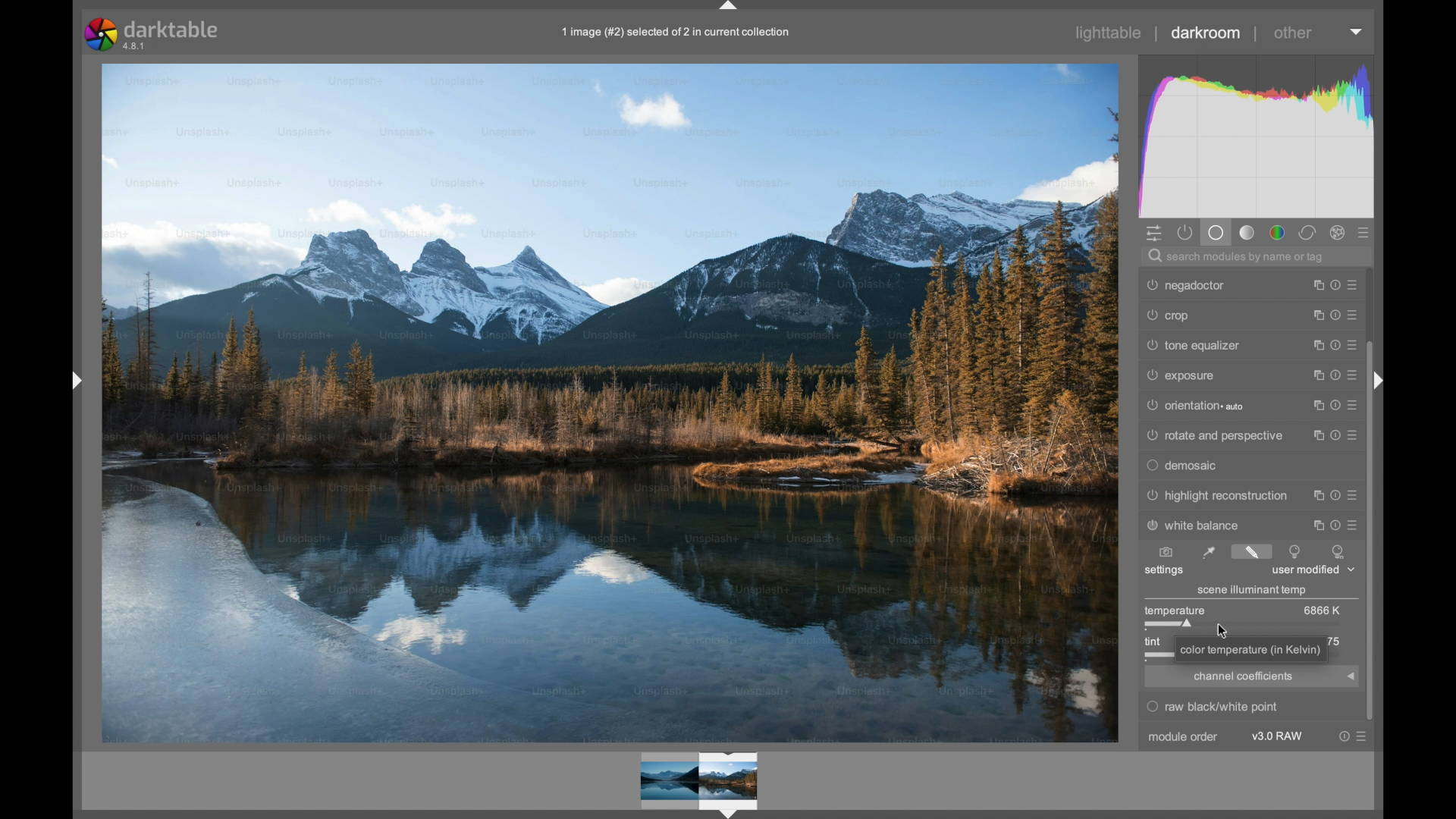  What do you see at coordinates (1278, 736) in the screenshot?
I see `v3.0 raw` at bounding box center [1278, 736].